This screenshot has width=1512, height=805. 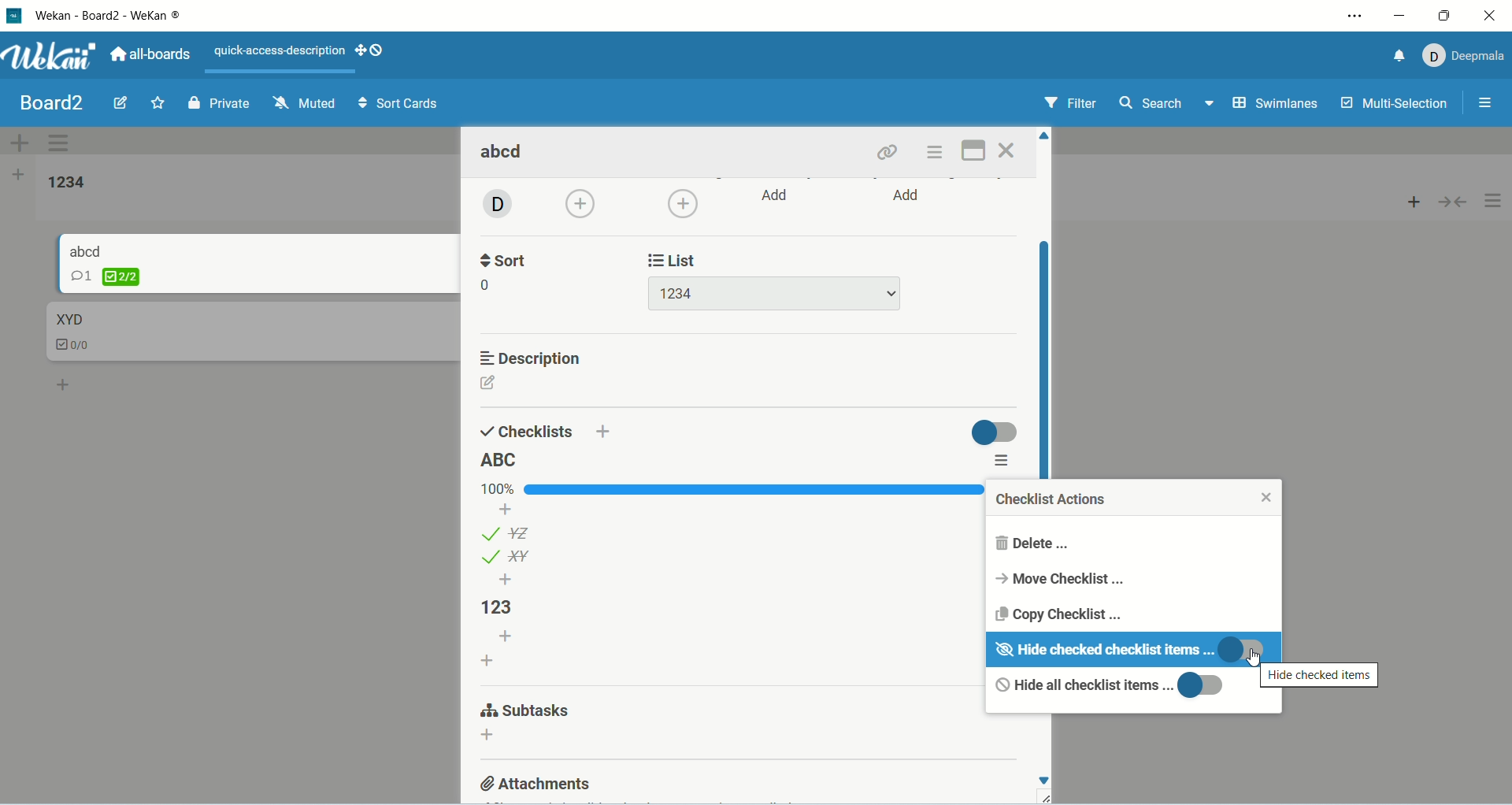 What do you see at coordinates (87, 250) in the screenshot?
I see `card title` at bounding box center [87, 250].